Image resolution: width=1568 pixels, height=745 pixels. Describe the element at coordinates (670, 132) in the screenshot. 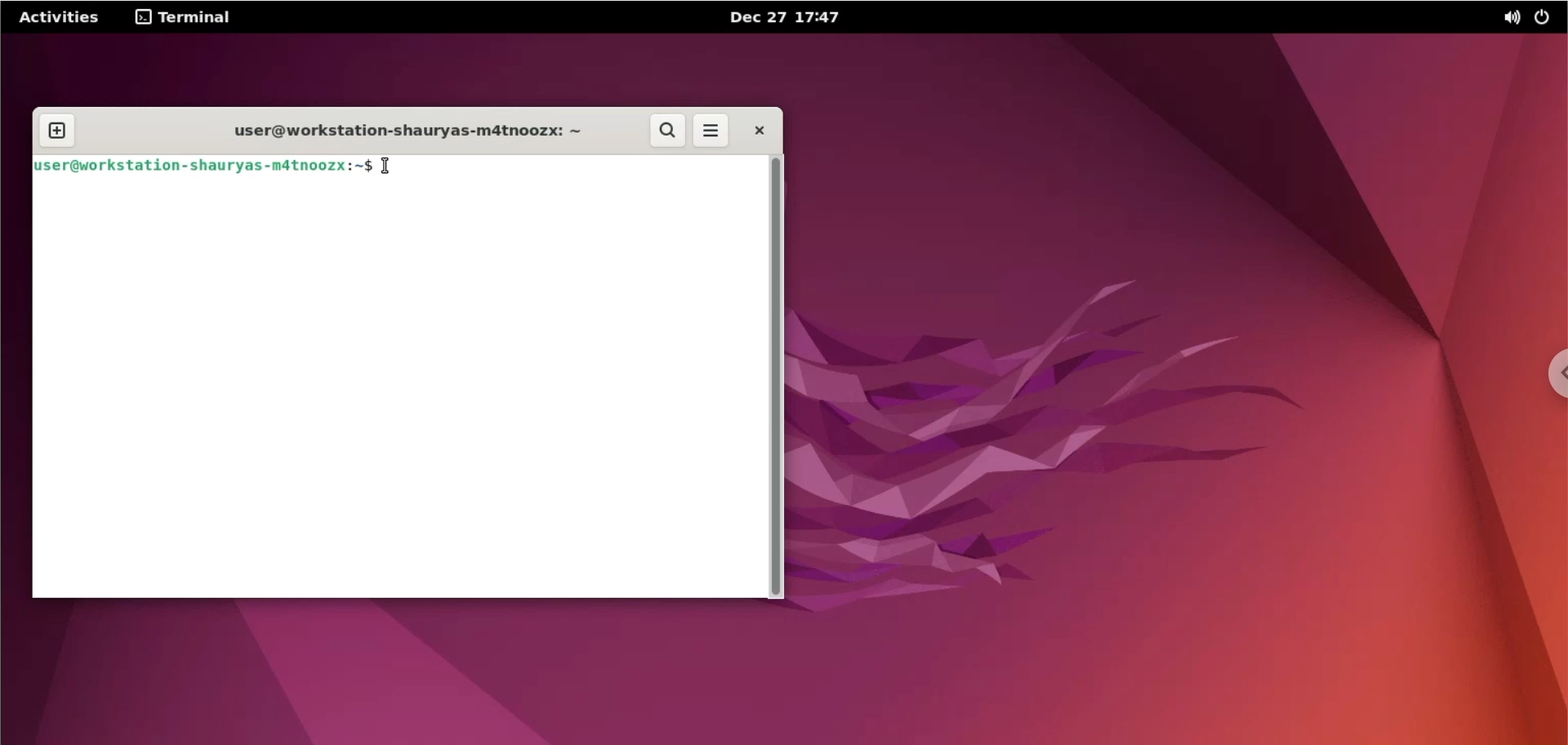

I see `search button` at that location.